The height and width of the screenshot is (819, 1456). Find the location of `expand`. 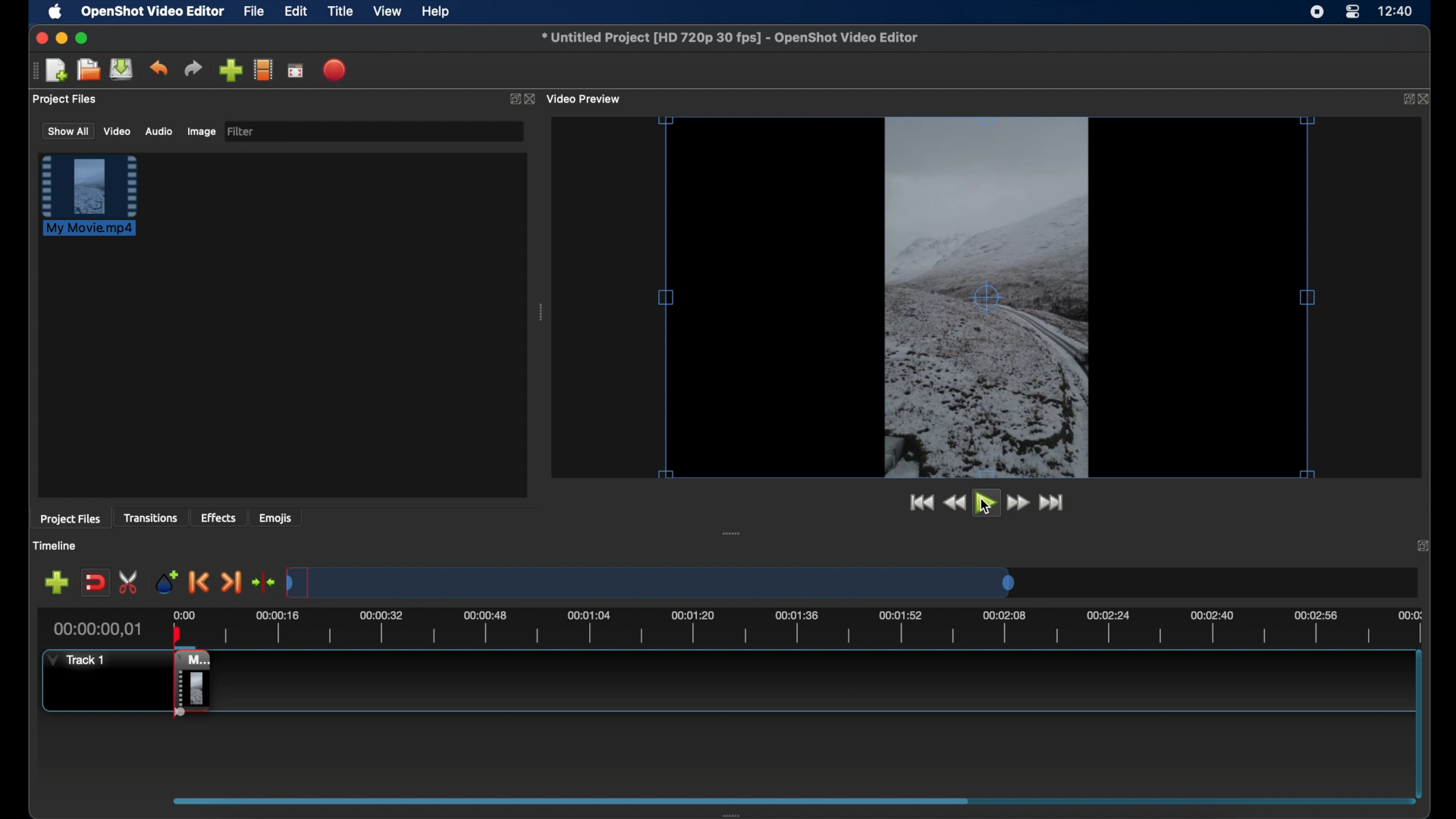

expand is located at coordinates (1405, 99).